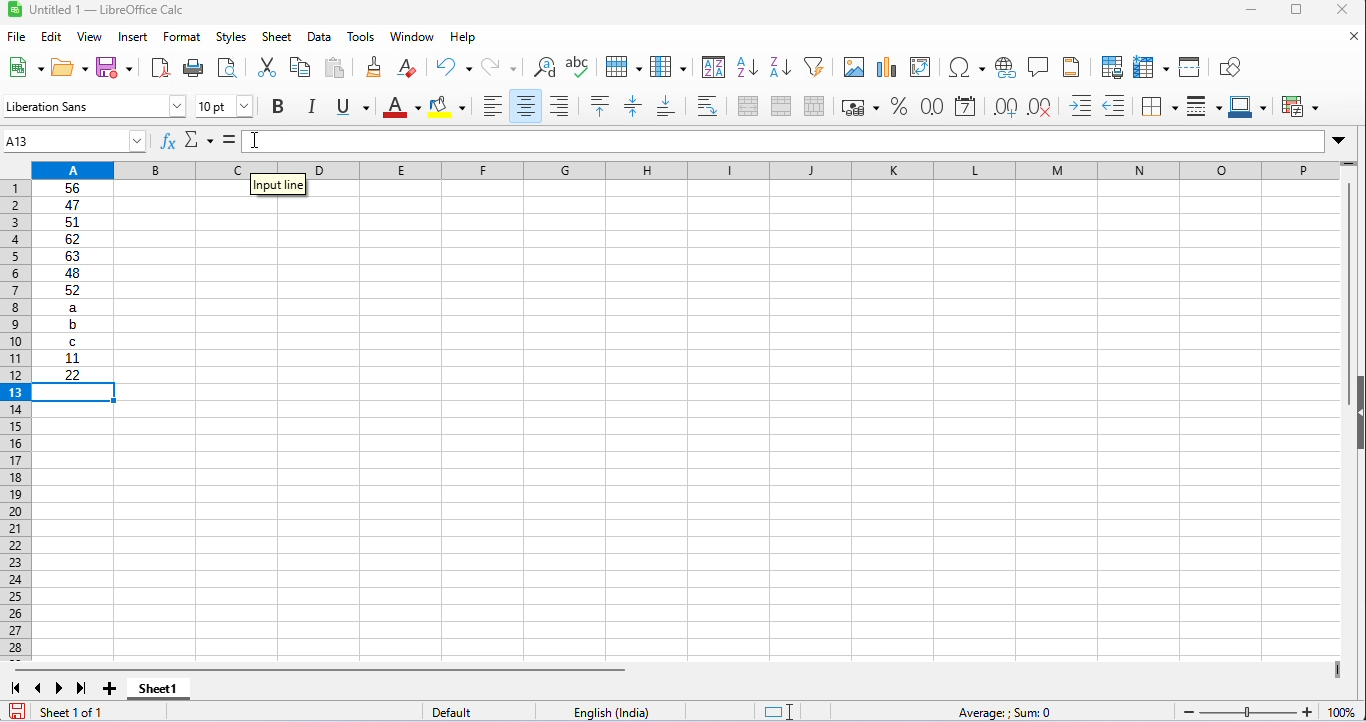 This screenshot has width=1366, height=722. I want to click on 62, so click(72, 239).